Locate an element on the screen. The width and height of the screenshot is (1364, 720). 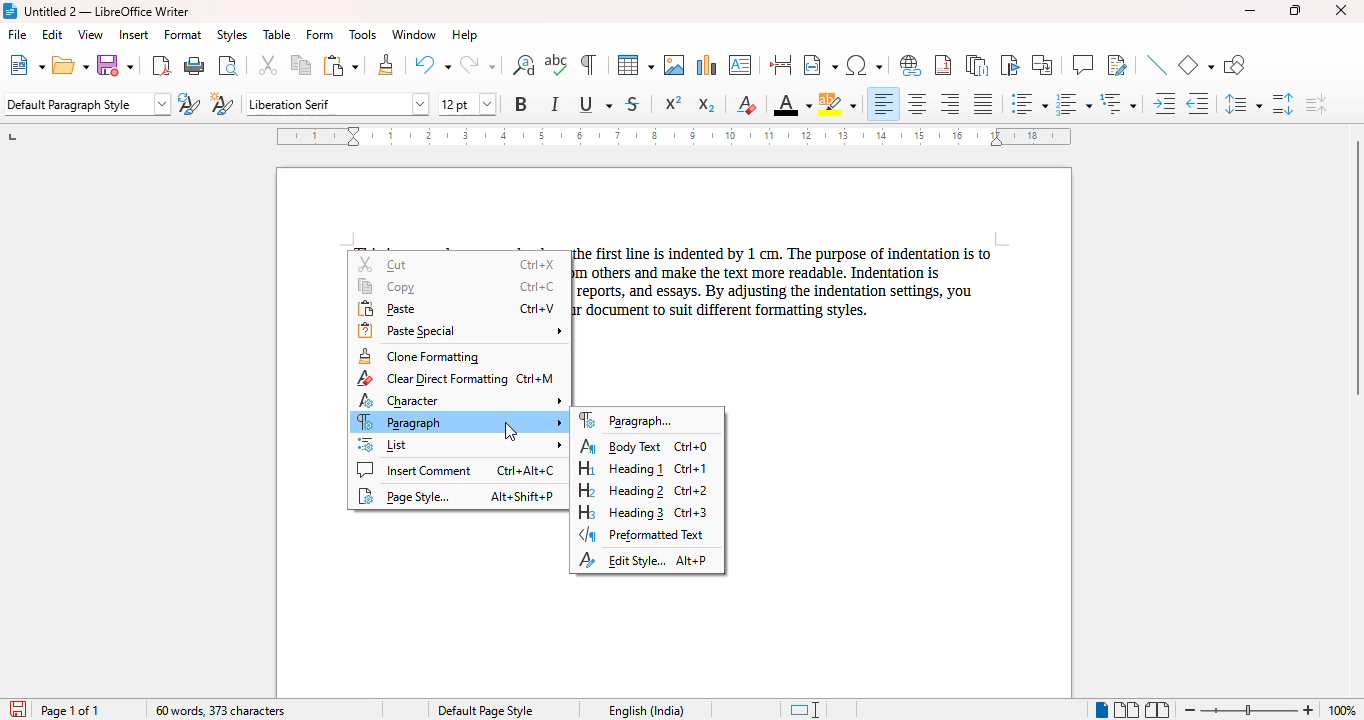
insert chart is located at coordinates (708, 64).